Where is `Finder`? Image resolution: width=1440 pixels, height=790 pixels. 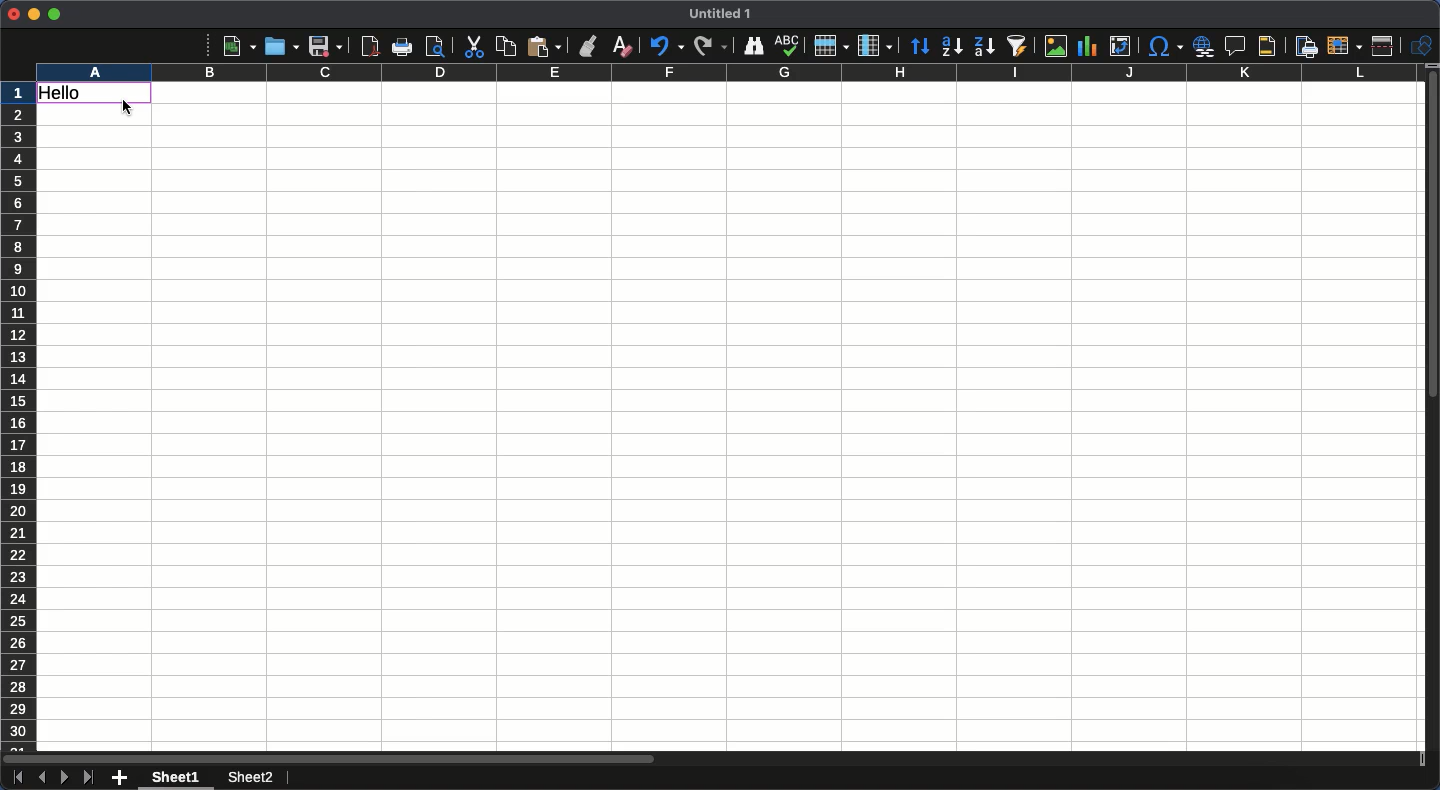 Finder is located at coordinates (751, 46).